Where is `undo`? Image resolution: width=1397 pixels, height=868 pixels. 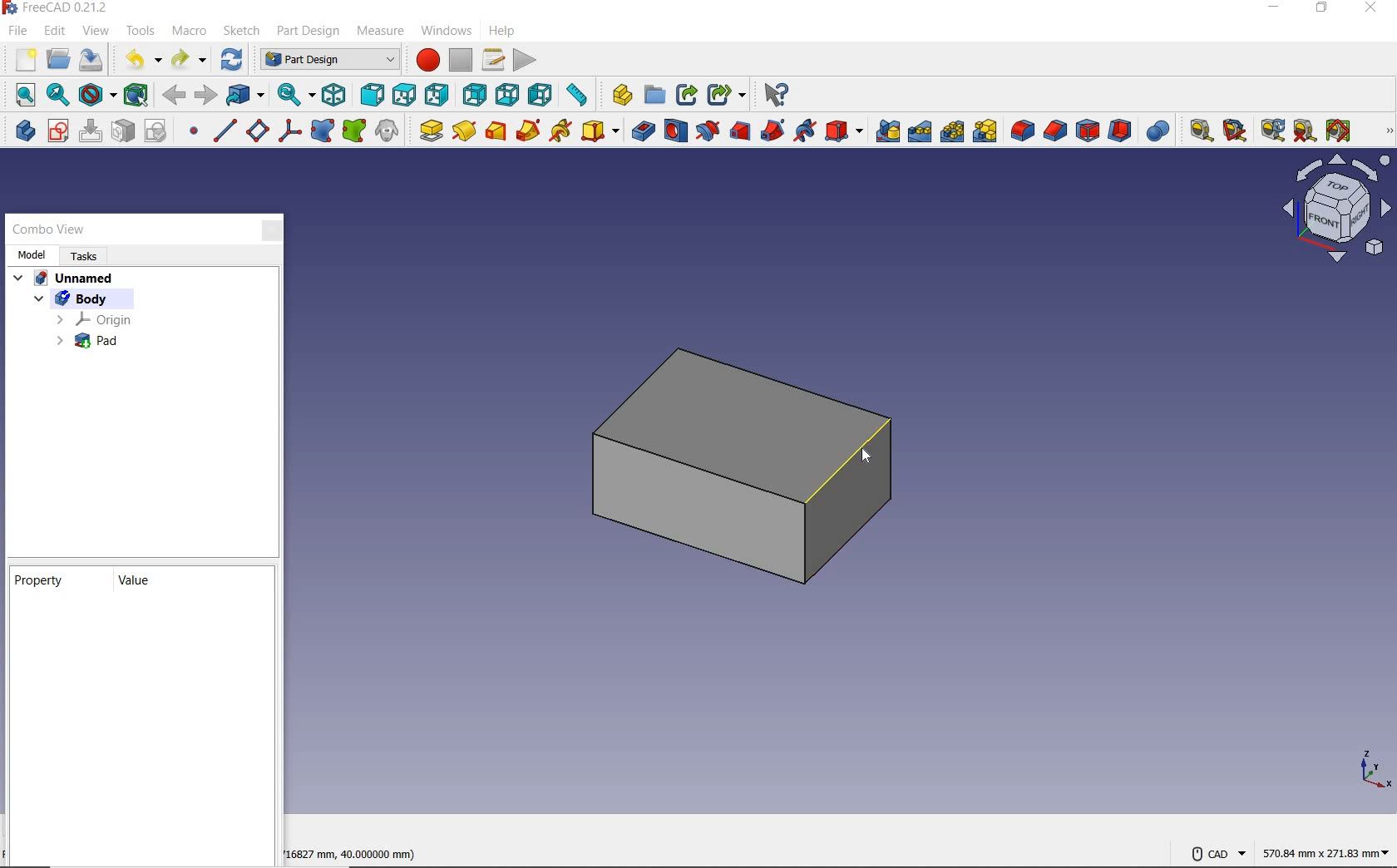
undo is located at coordinates (140, 60).